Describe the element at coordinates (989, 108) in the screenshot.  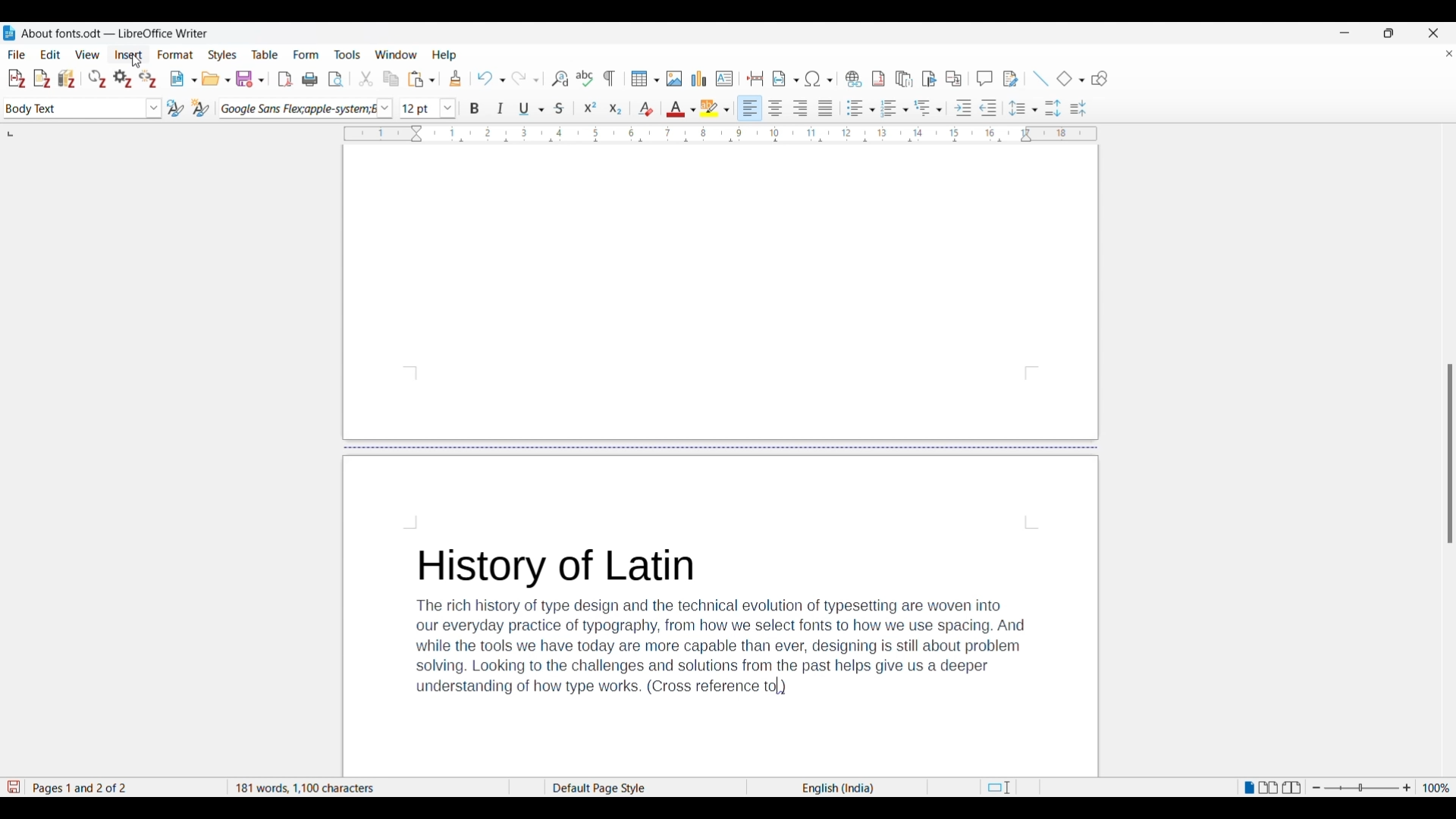
I see `Decrease indentation` at that location.